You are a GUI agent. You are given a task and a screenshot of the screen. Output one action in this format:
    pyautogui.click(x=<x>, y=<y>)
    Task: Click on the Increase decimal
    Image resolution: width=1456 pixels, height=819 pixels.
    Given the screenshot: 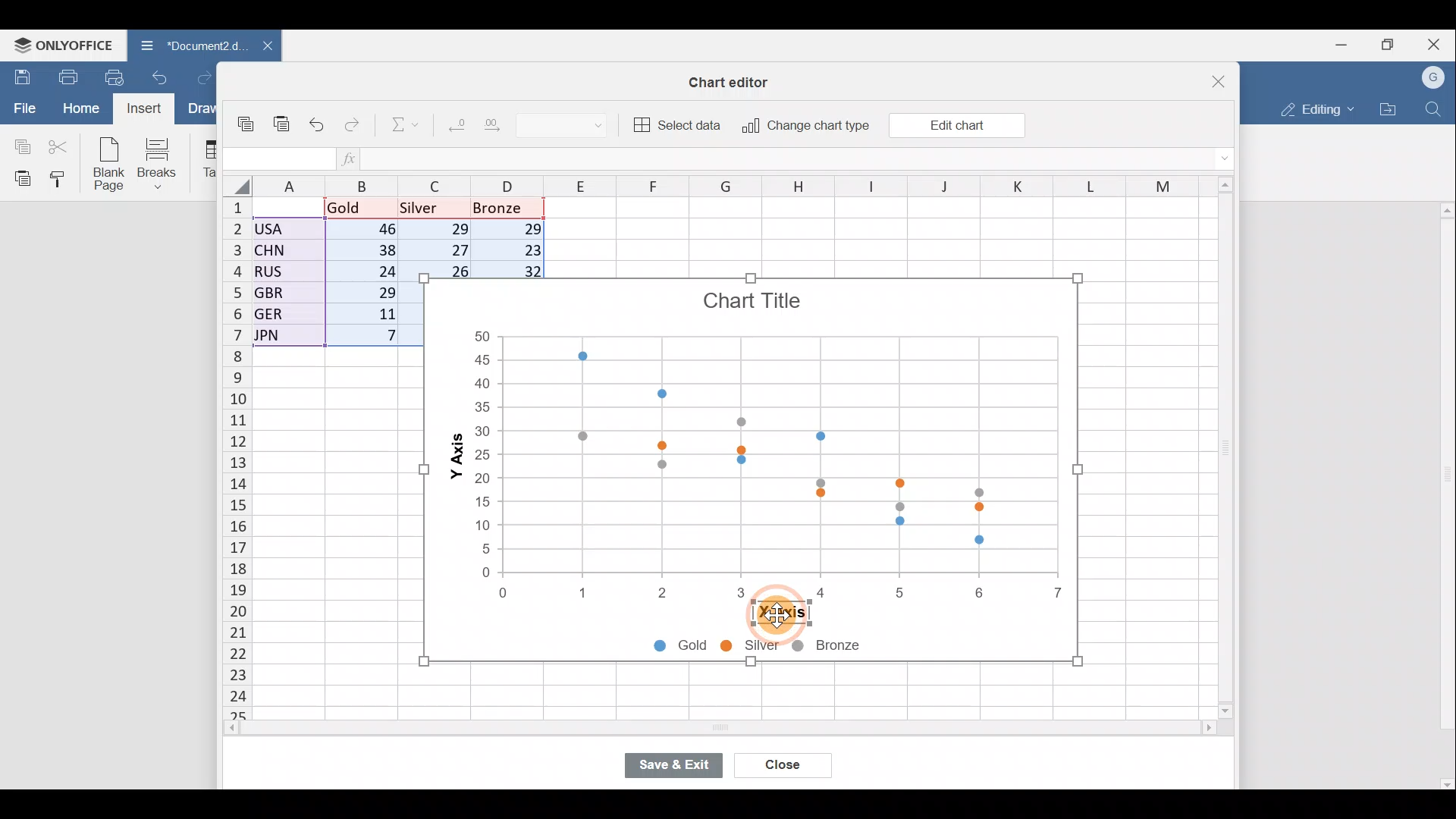 What is the action you would take?
    pyautogui.click(x=500, y=129)
    